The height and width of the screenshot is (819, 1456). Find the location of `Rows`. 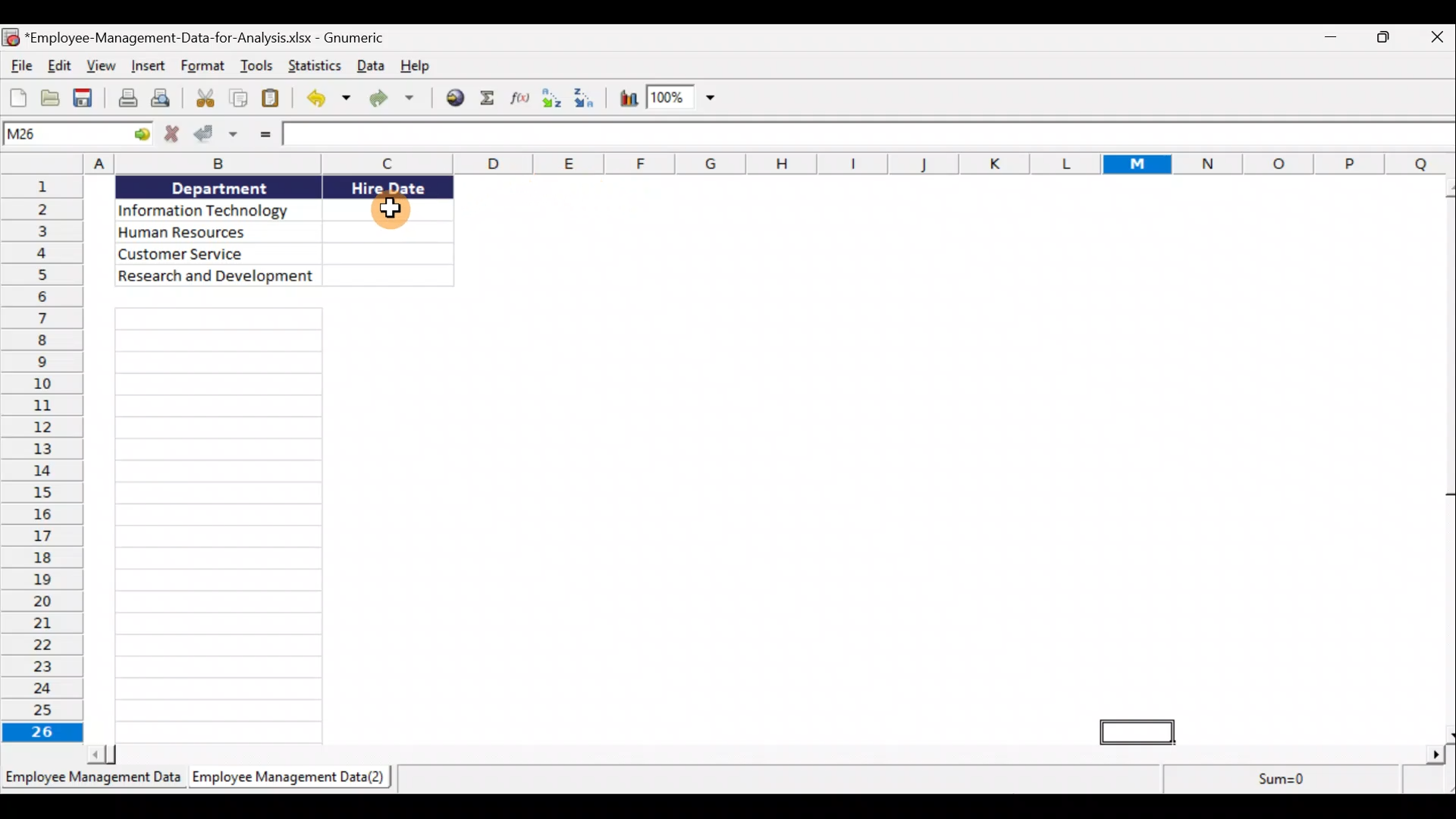

Rows is located at coordinates (42, 459).